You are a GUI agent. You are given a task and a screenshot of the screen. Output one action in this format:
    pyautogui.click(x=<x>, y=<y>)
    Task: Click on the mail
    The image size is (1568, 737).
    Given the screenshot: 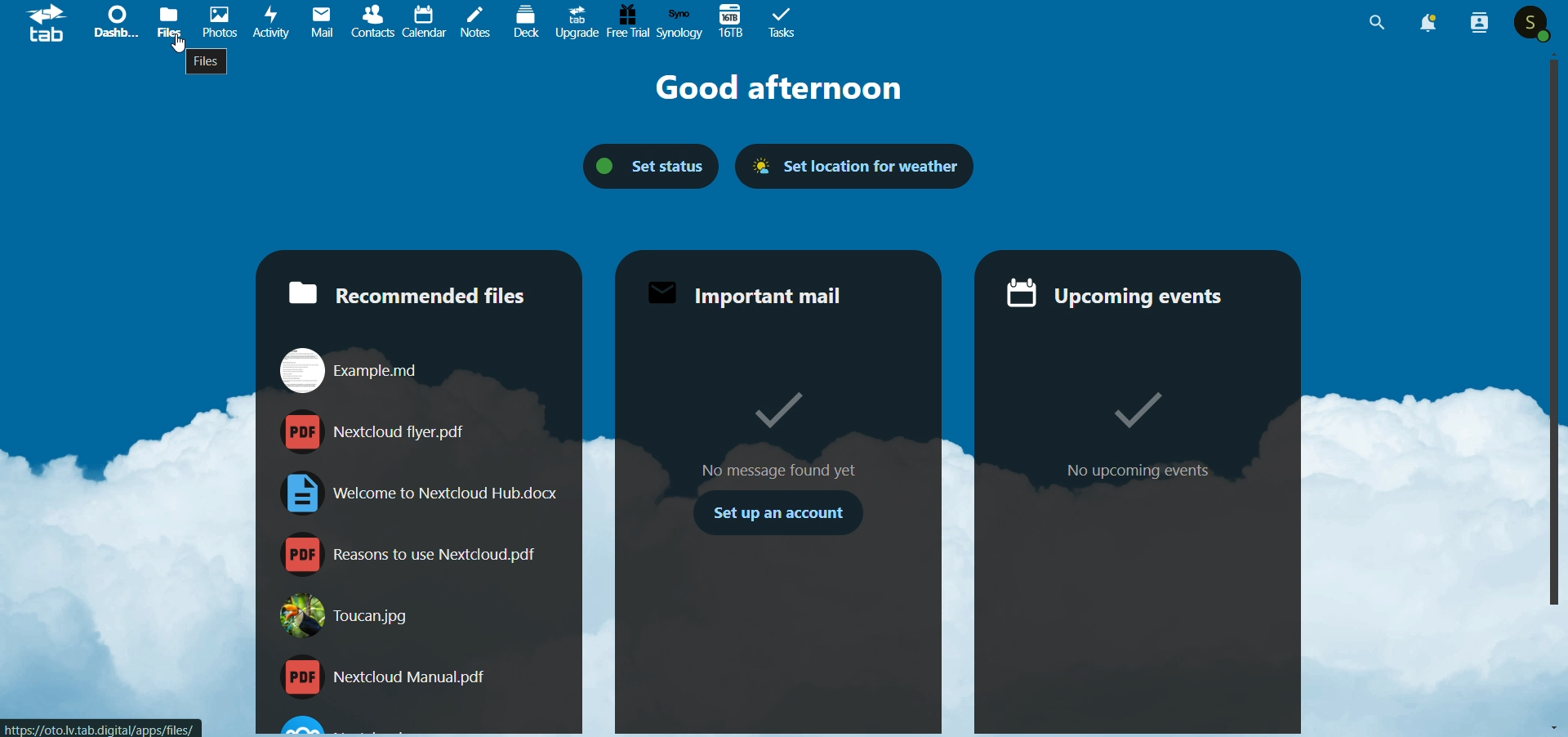 What is the action you would take?
    pyautogui.click(x=318, y=25)
    